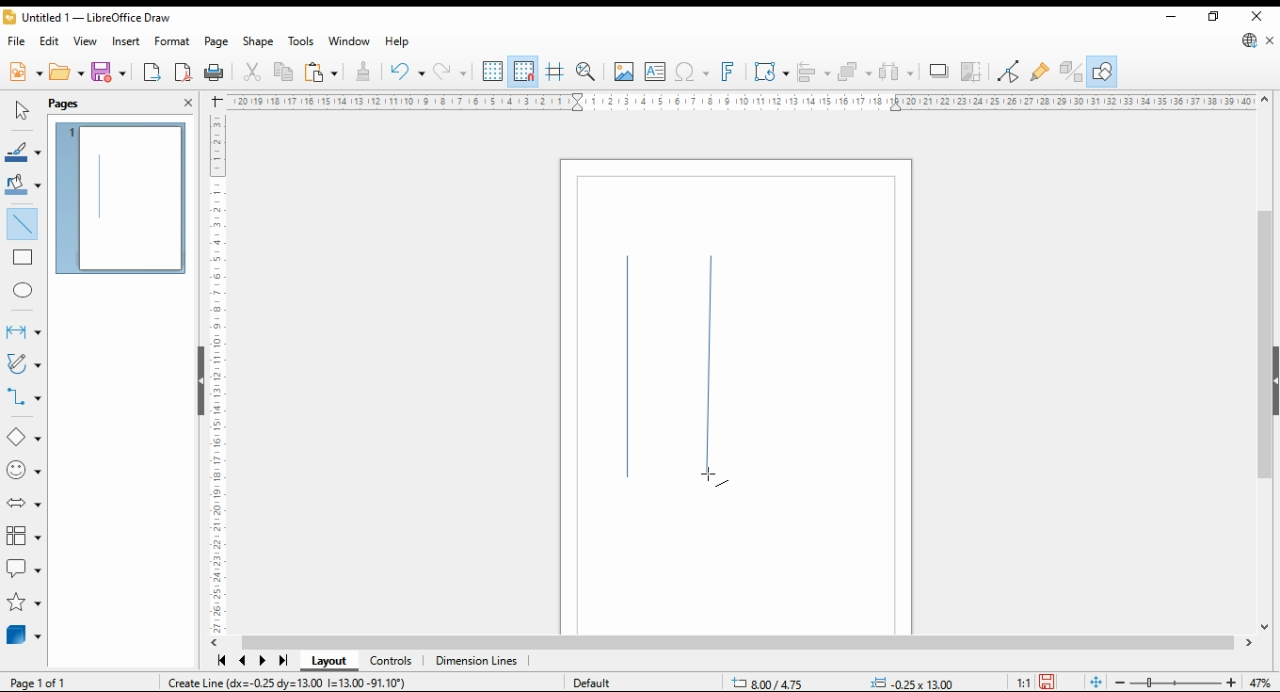 This screenshot has height=692, width=1280. What do you see at coordinates (712, 476) in the screenshot?
I see `mouse pointer` at bounding box center [712, 476].